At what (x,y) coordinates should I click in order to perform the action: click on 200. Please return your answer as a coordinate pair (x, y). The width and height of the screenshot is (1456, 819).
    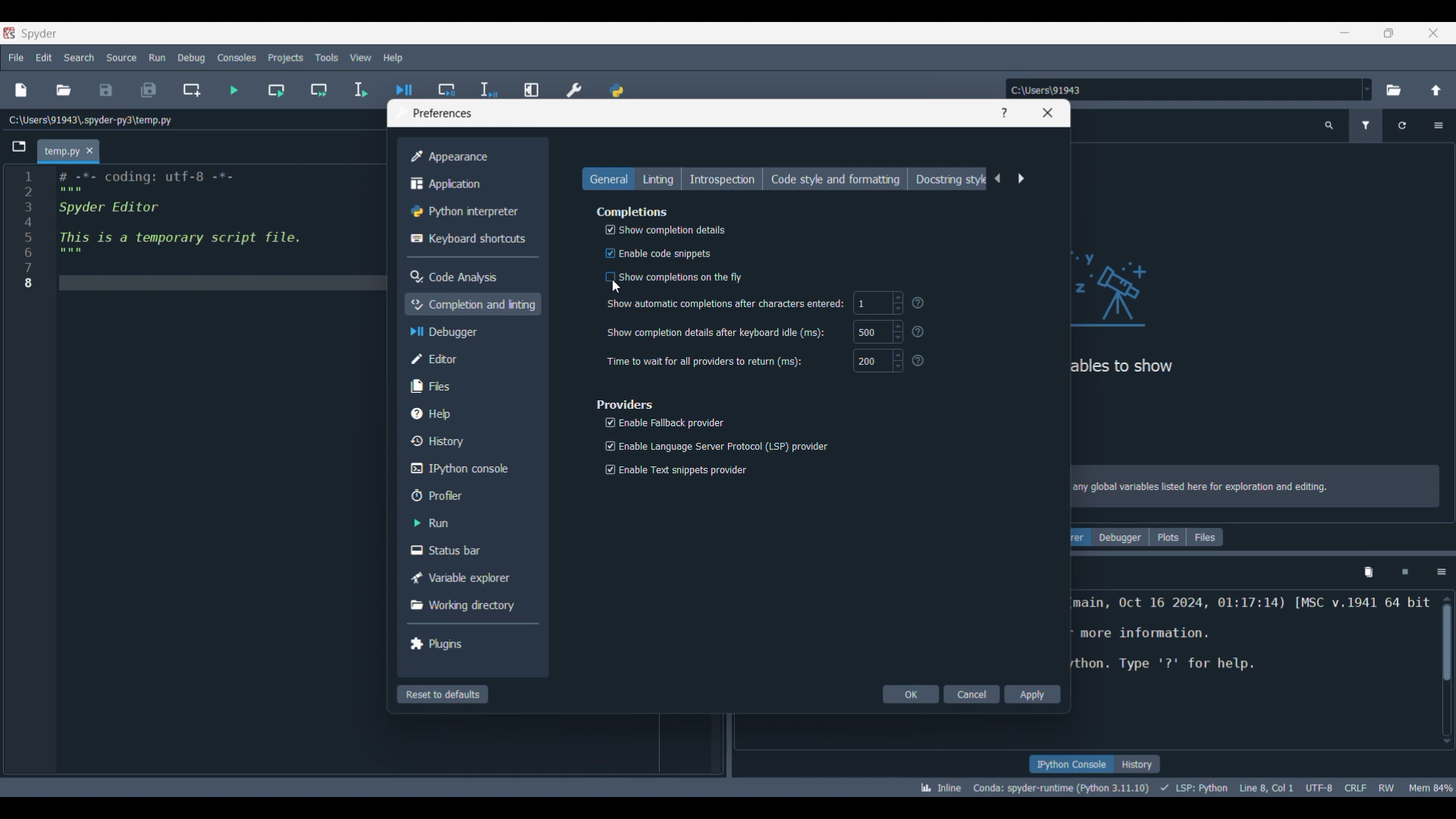
    Looking at the image, I should click on (877, 361).